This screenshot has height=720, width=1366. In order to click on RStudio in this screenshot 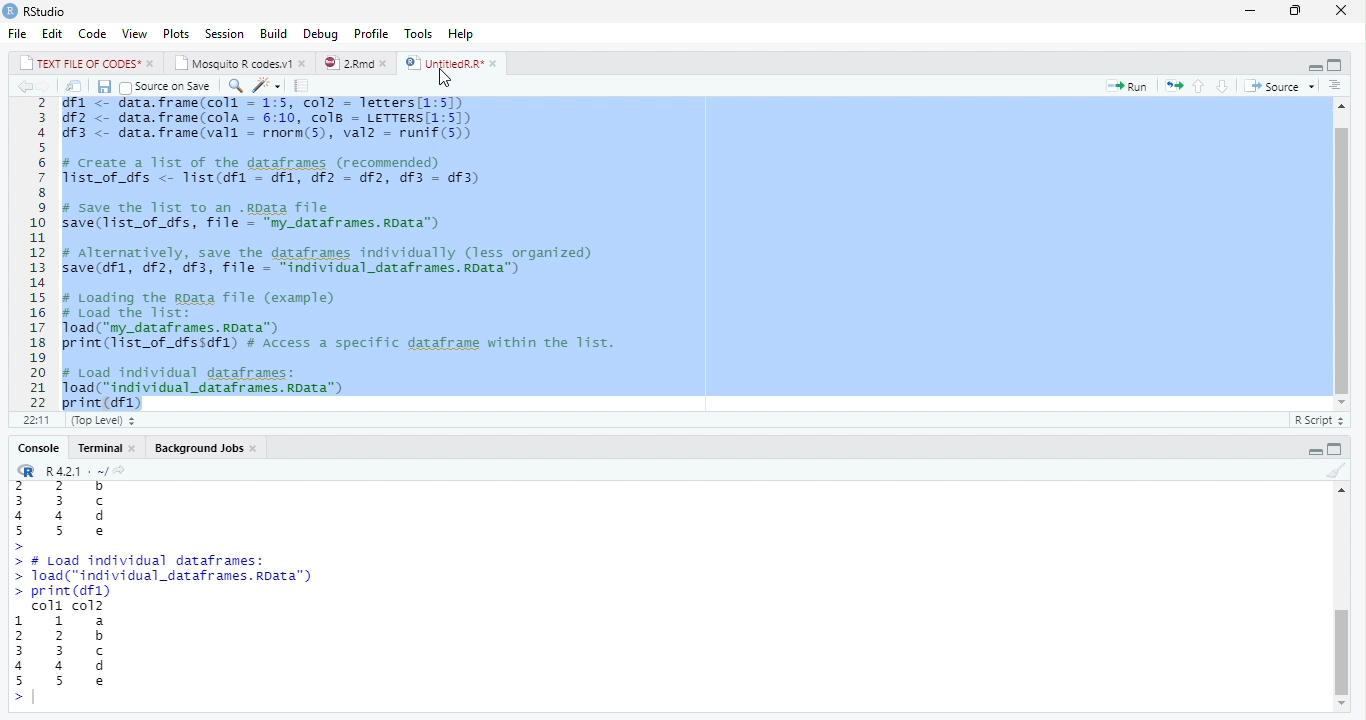, I will do `click(37, 12)`.